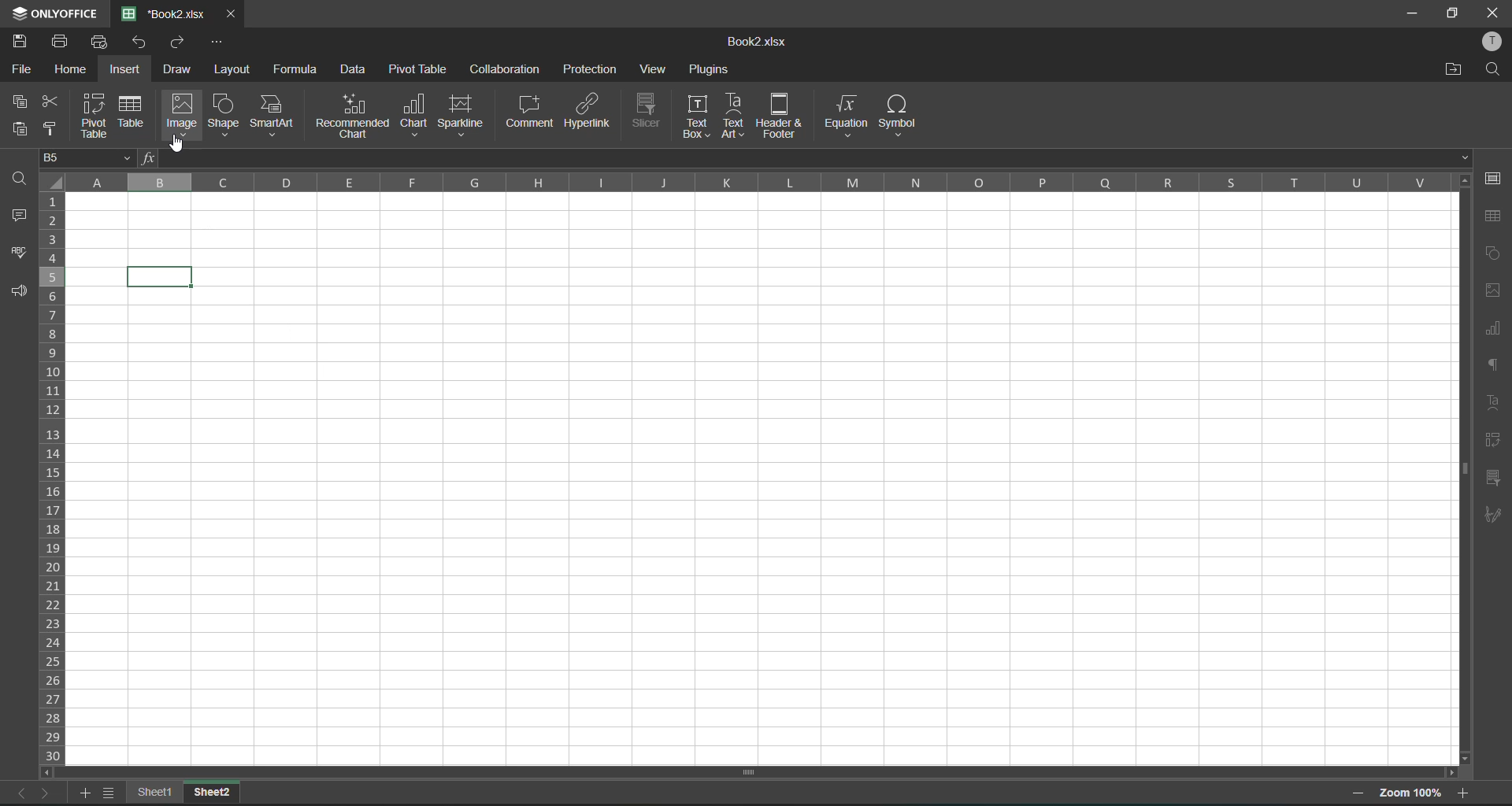  Describe the element at coordinates (353, 115) in the screenshot. I see `recommended chart` at that location.